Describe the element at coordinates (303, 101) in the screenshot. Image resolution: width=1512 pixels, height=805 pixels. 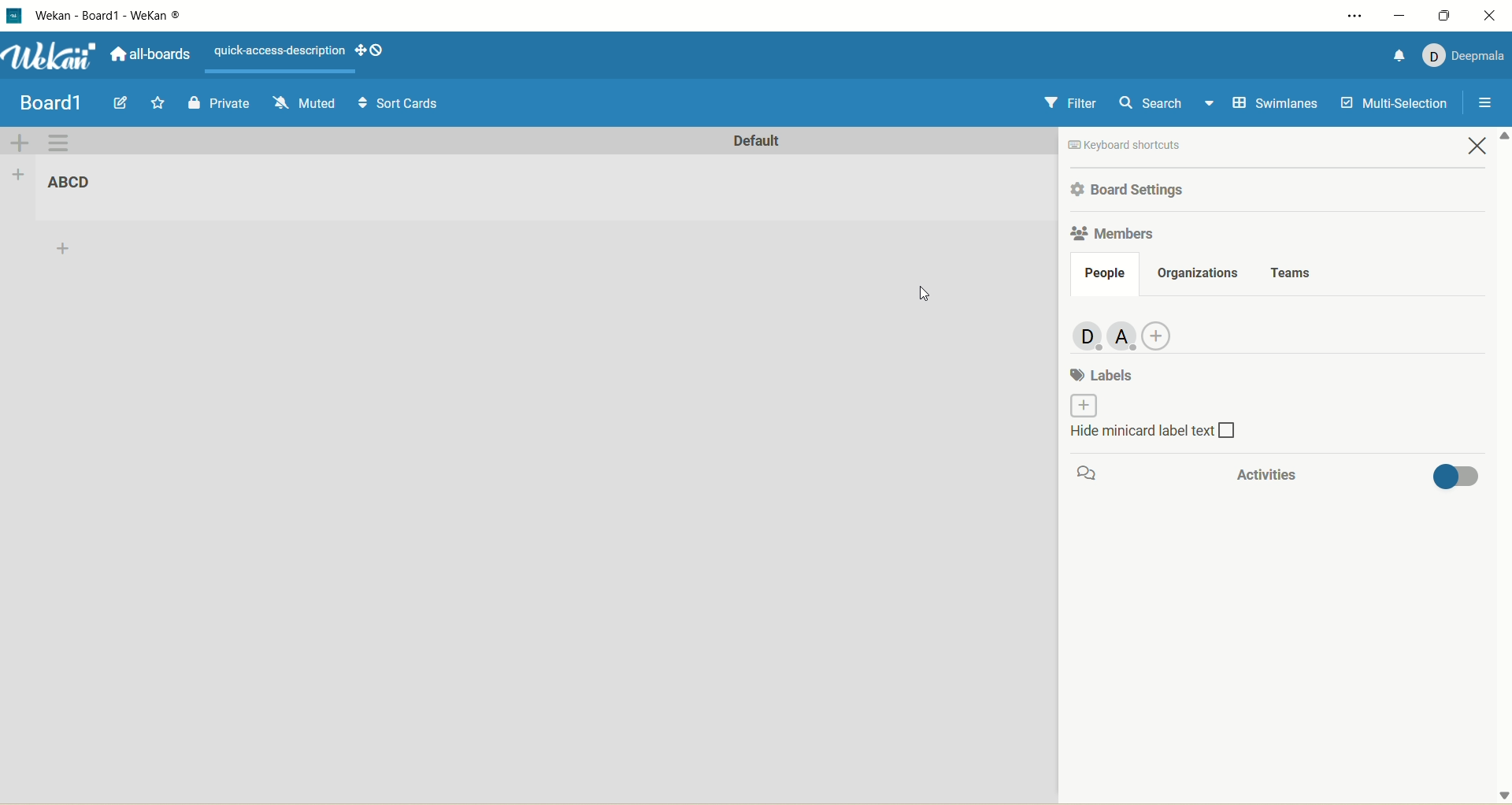
I see `Muted` at that location.